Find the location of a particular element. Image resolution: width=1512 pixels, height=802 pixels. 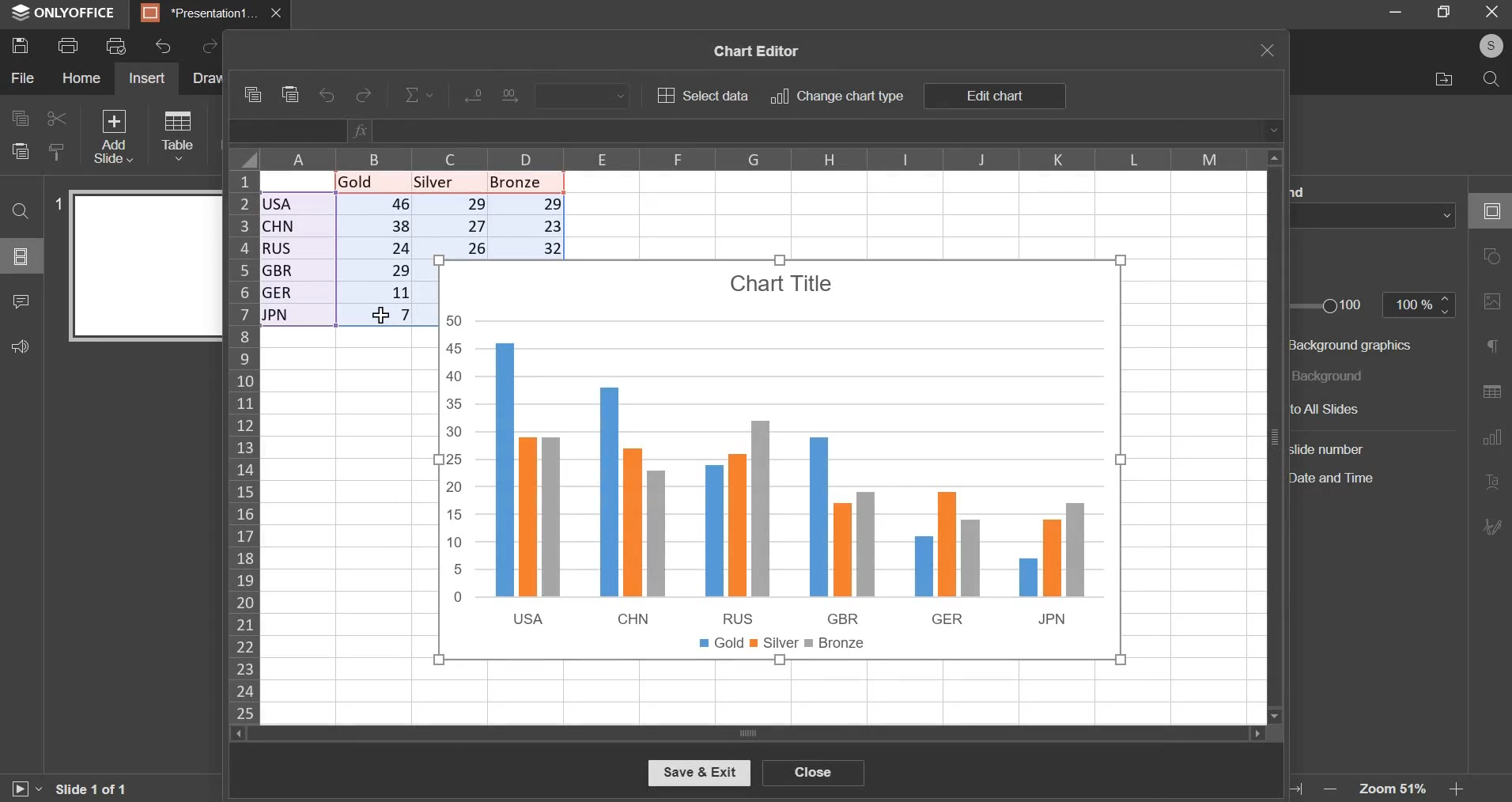

home is located at coordinates (80, 78).